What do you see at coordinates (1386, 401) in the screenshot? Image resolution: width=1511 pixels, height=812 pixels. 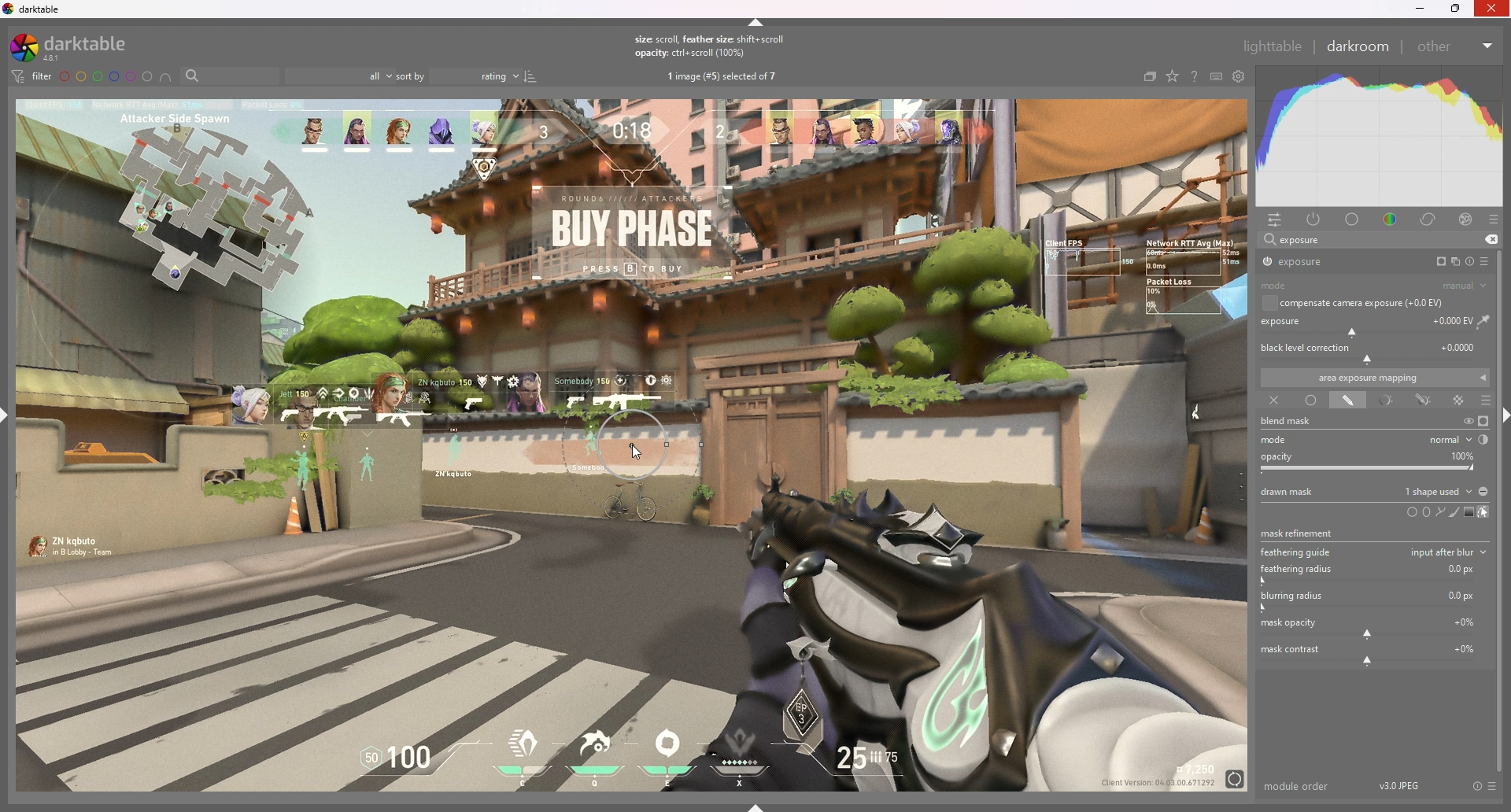 I see `parametric mask` at bounding box center [1386, 401].